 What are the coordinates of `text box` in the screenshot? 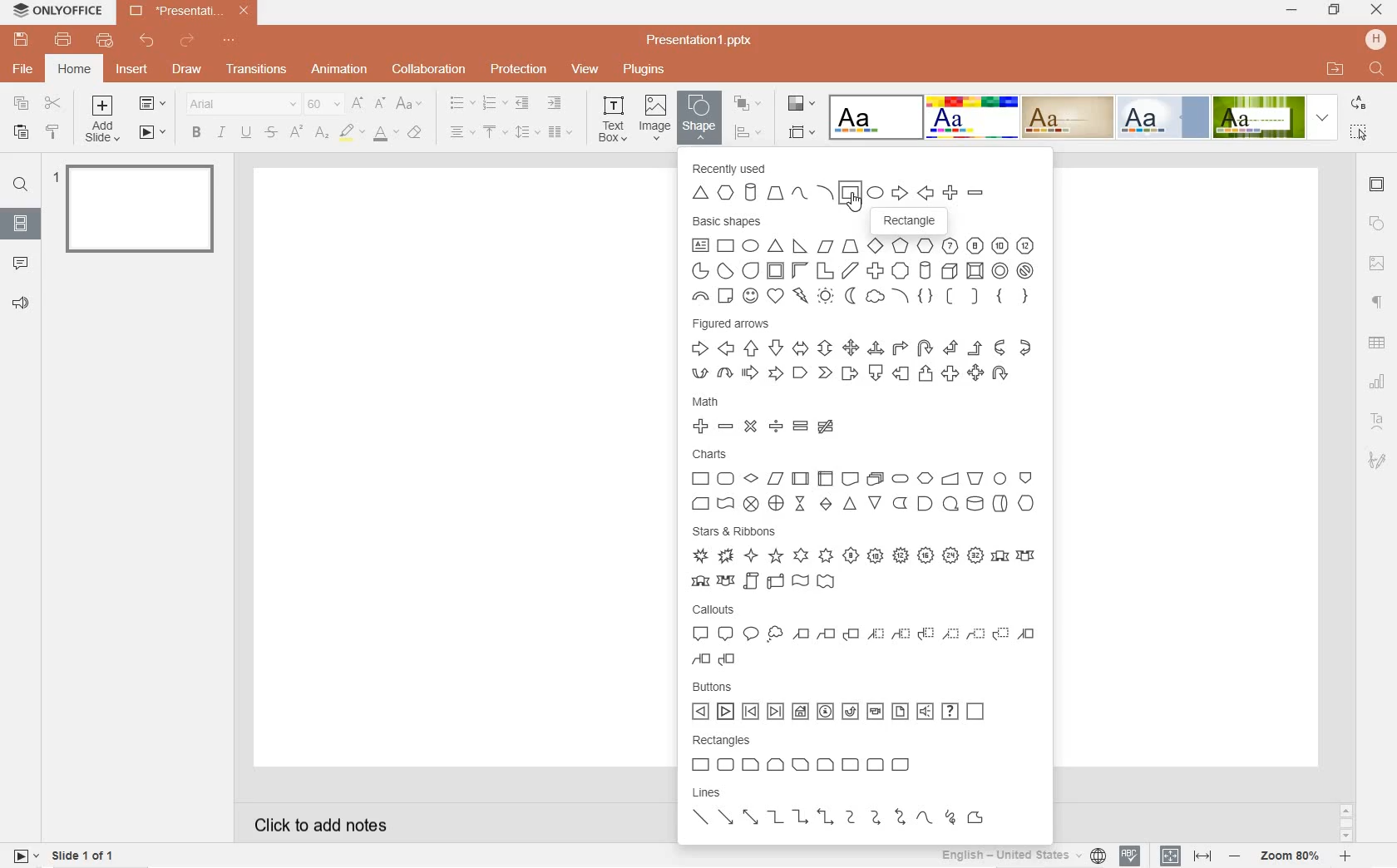 It's located at (615, 118).